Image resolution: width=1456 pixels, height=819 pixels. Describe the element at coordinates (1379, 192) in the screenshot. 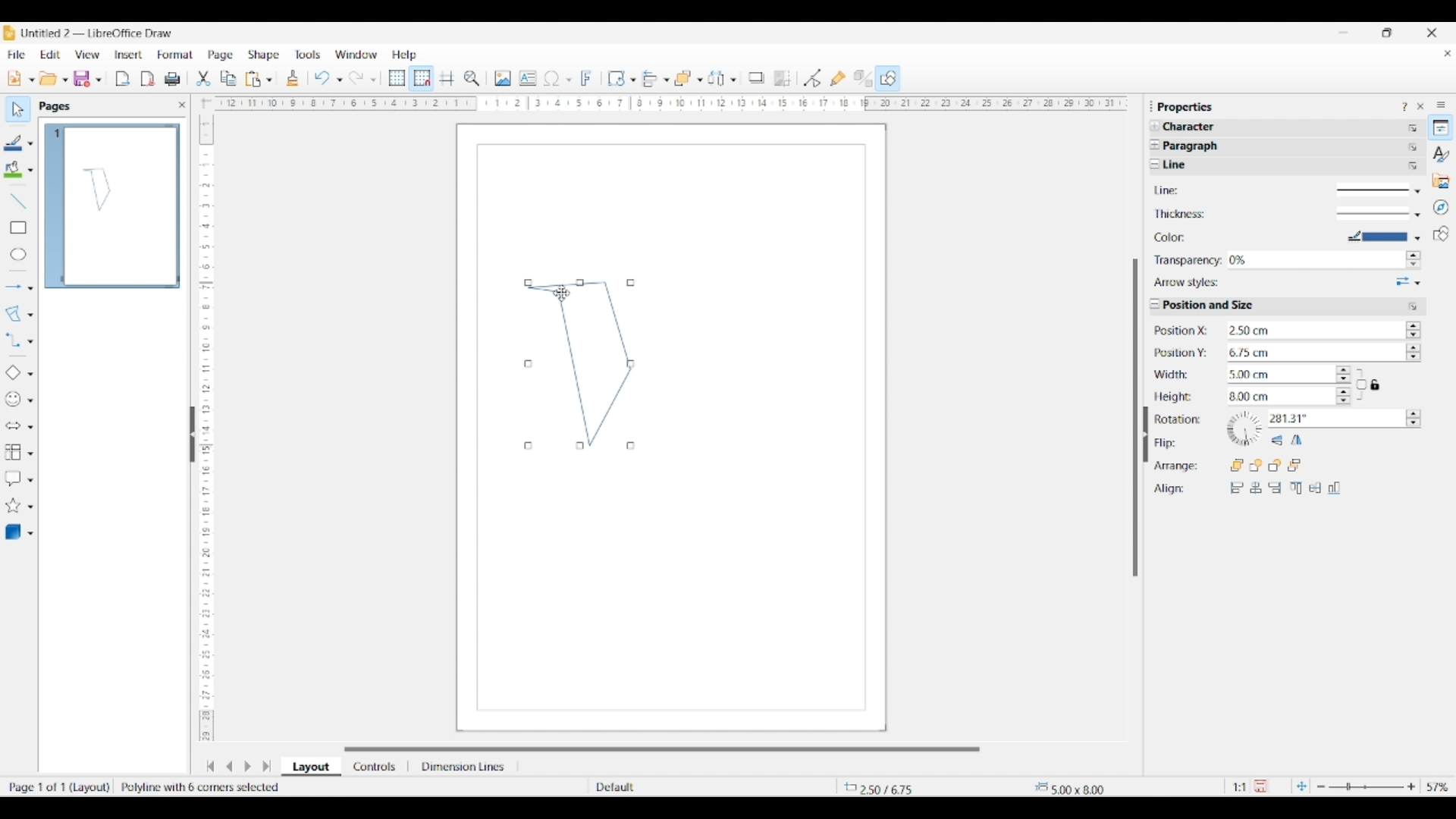

I see `Line options` at that location.